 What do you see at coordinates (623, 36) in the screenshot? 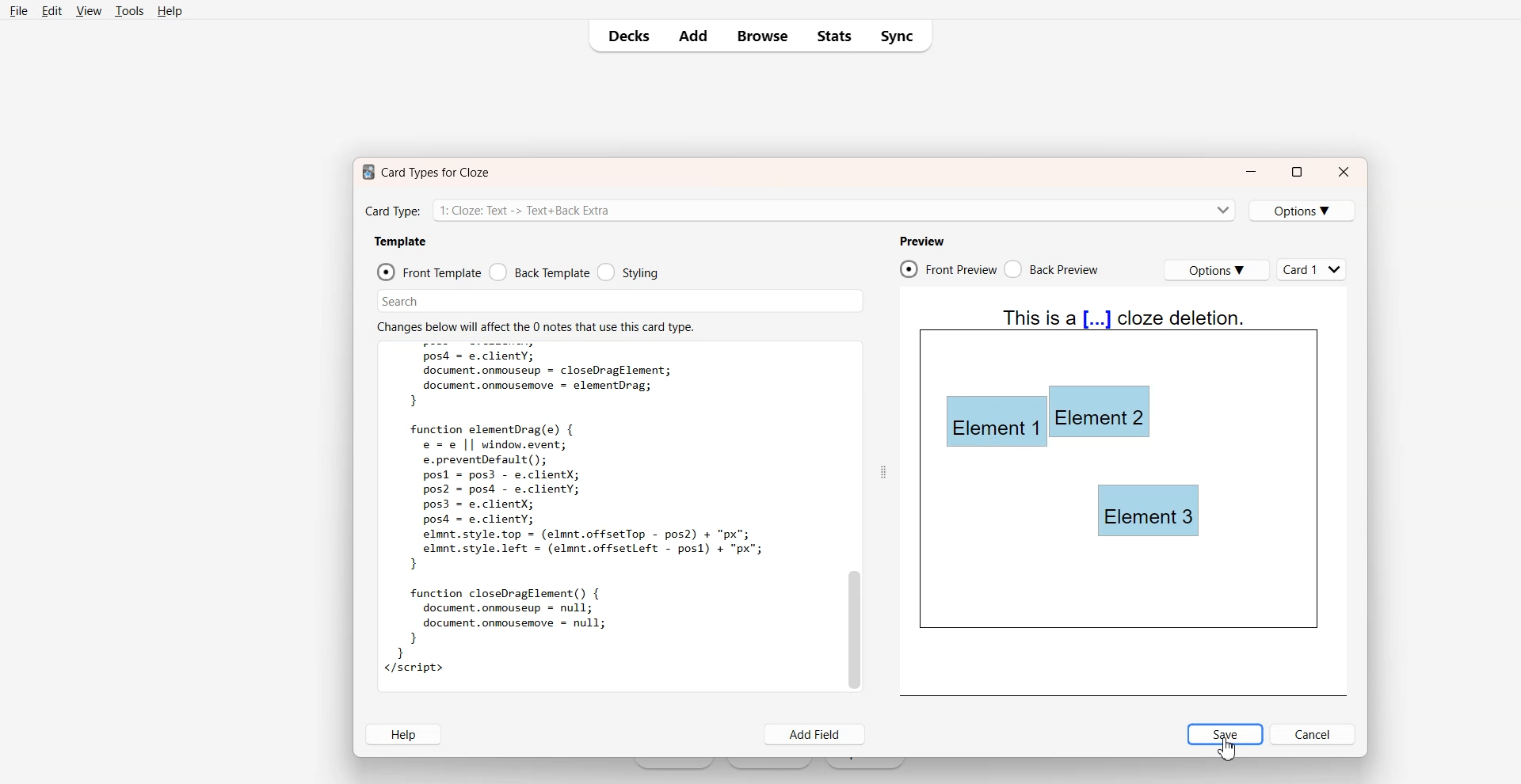
I see `Decks` at bounding box center [623, 36].